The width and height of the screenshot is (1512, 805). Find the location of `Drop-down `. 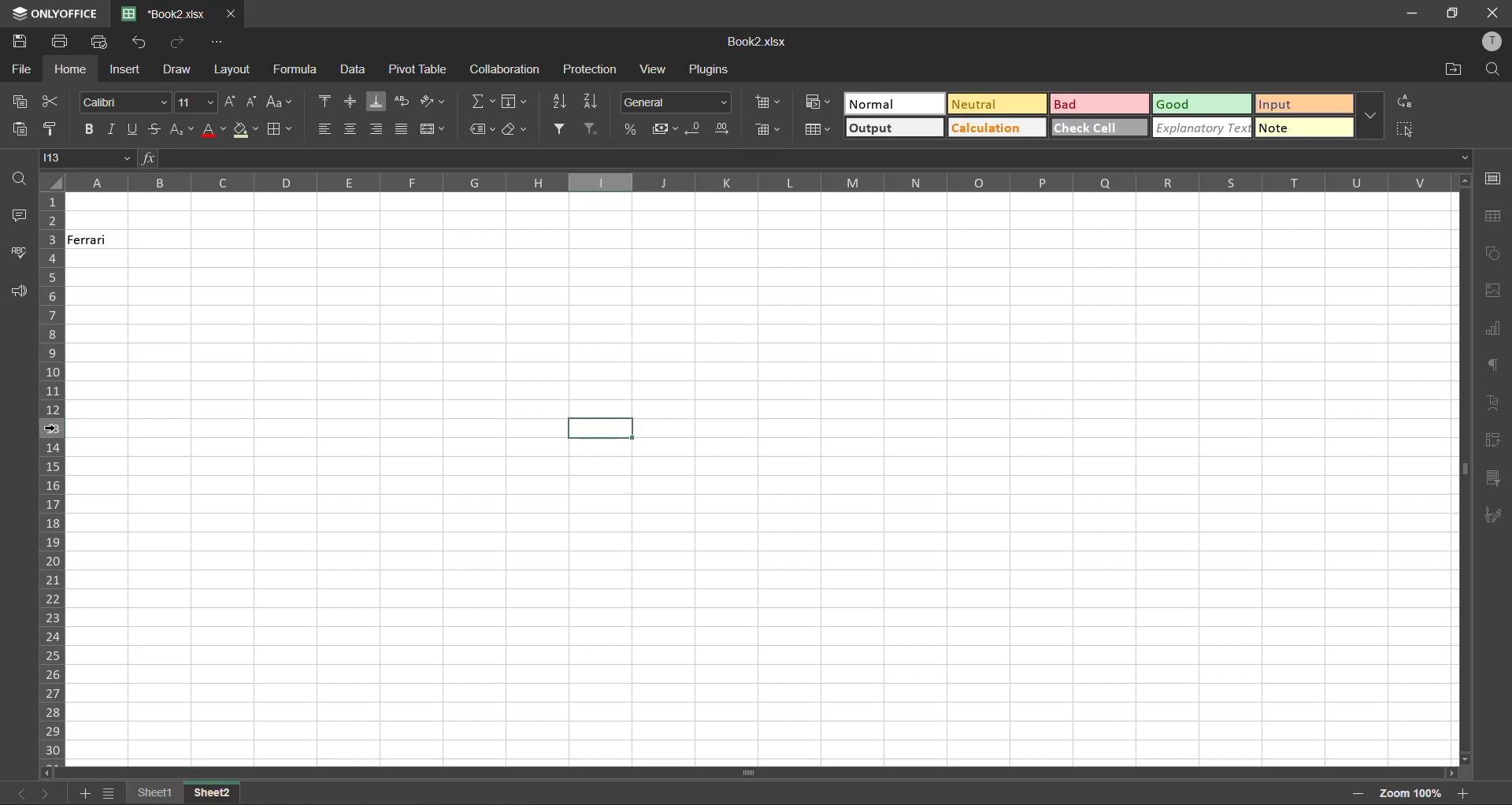

Drop-down  is located at coordinates (1467, 157).